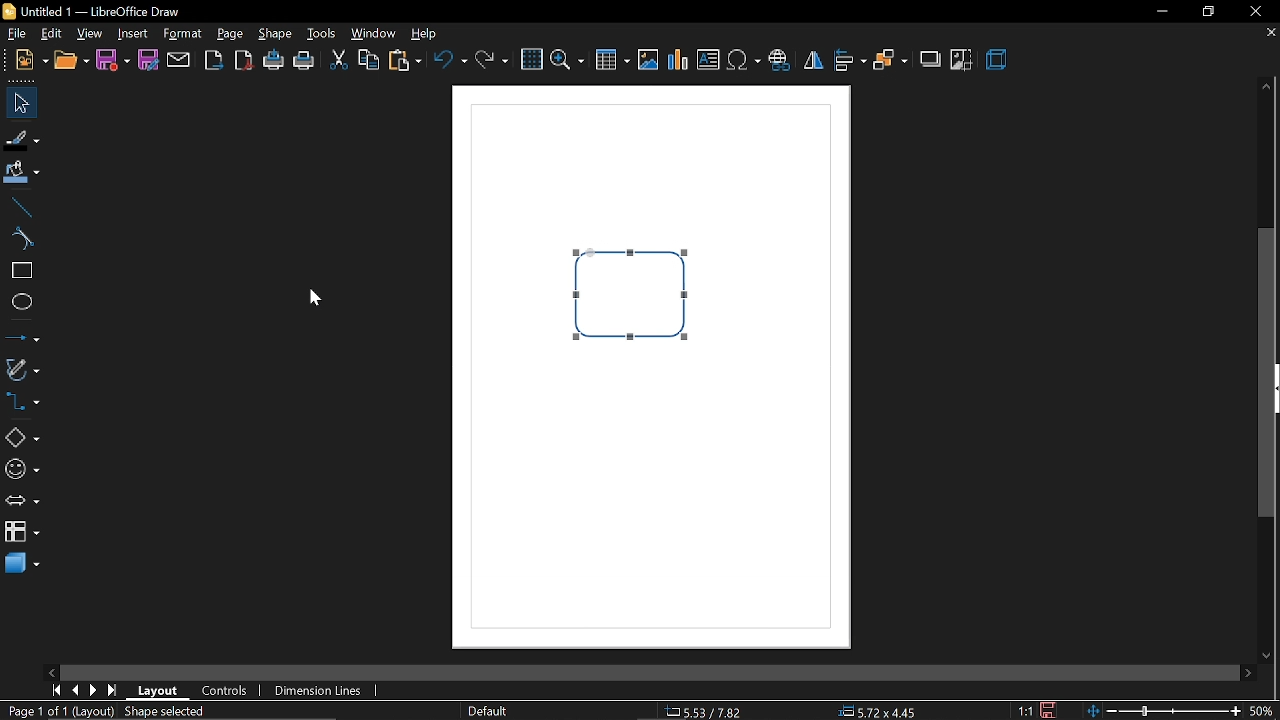 This screenshot has height=720, width=1280. I want to click on insert symbol, so click(745, 61).